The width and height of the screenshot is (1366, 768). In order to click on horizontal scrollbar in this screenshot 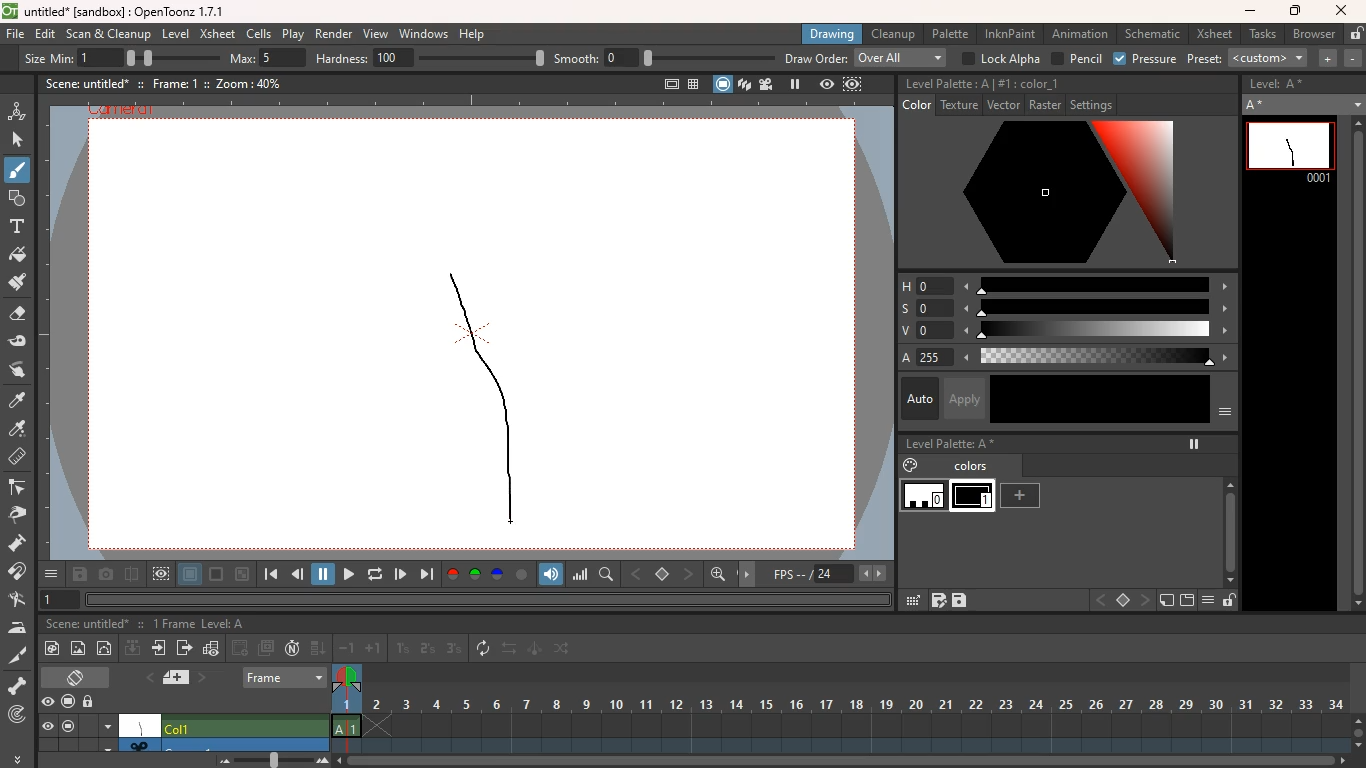, I will do `click(487, 599)`.